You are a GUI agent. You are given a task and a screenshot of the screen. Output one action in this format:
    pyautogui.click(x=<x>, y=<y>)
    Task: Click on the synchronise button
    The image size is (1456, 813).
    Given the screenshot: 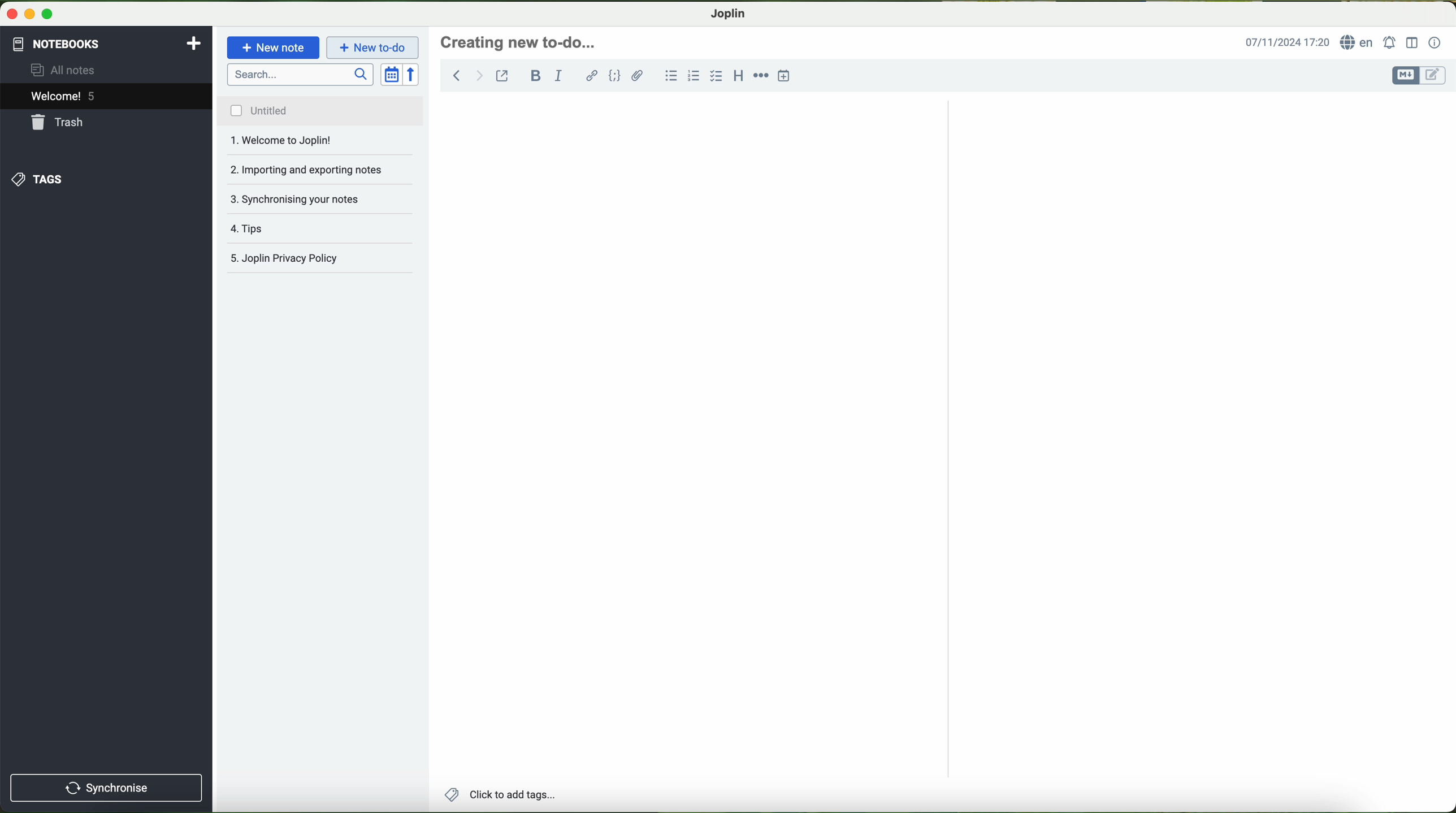 What is the action you would take?
    pyautogui.click(x=106, y=788)
    